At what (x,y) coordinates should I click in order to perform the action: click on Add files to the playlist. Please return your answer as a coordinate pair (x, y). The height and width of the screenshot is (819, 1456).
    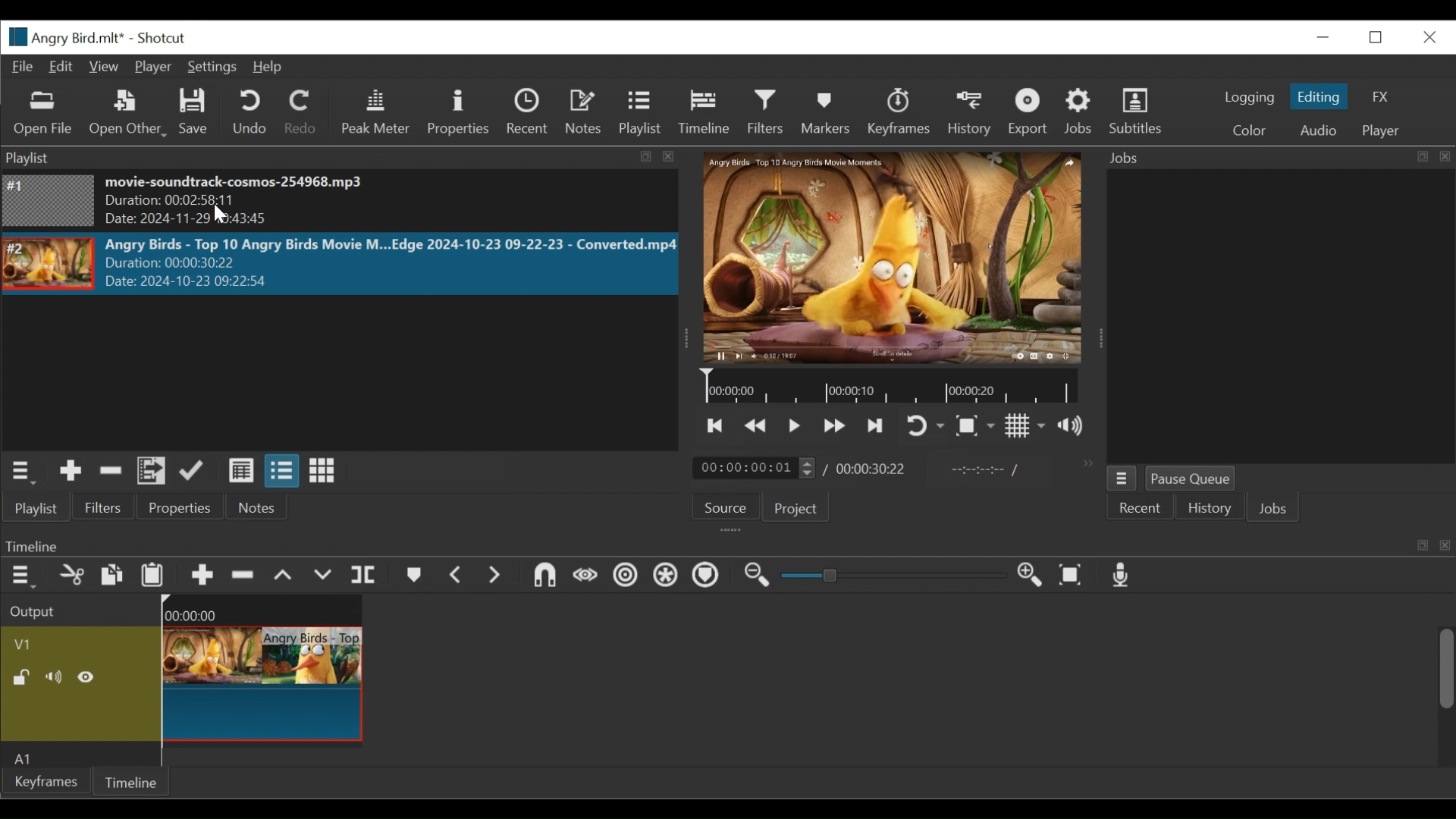
    Looking at the image, I should click on (152, 472).